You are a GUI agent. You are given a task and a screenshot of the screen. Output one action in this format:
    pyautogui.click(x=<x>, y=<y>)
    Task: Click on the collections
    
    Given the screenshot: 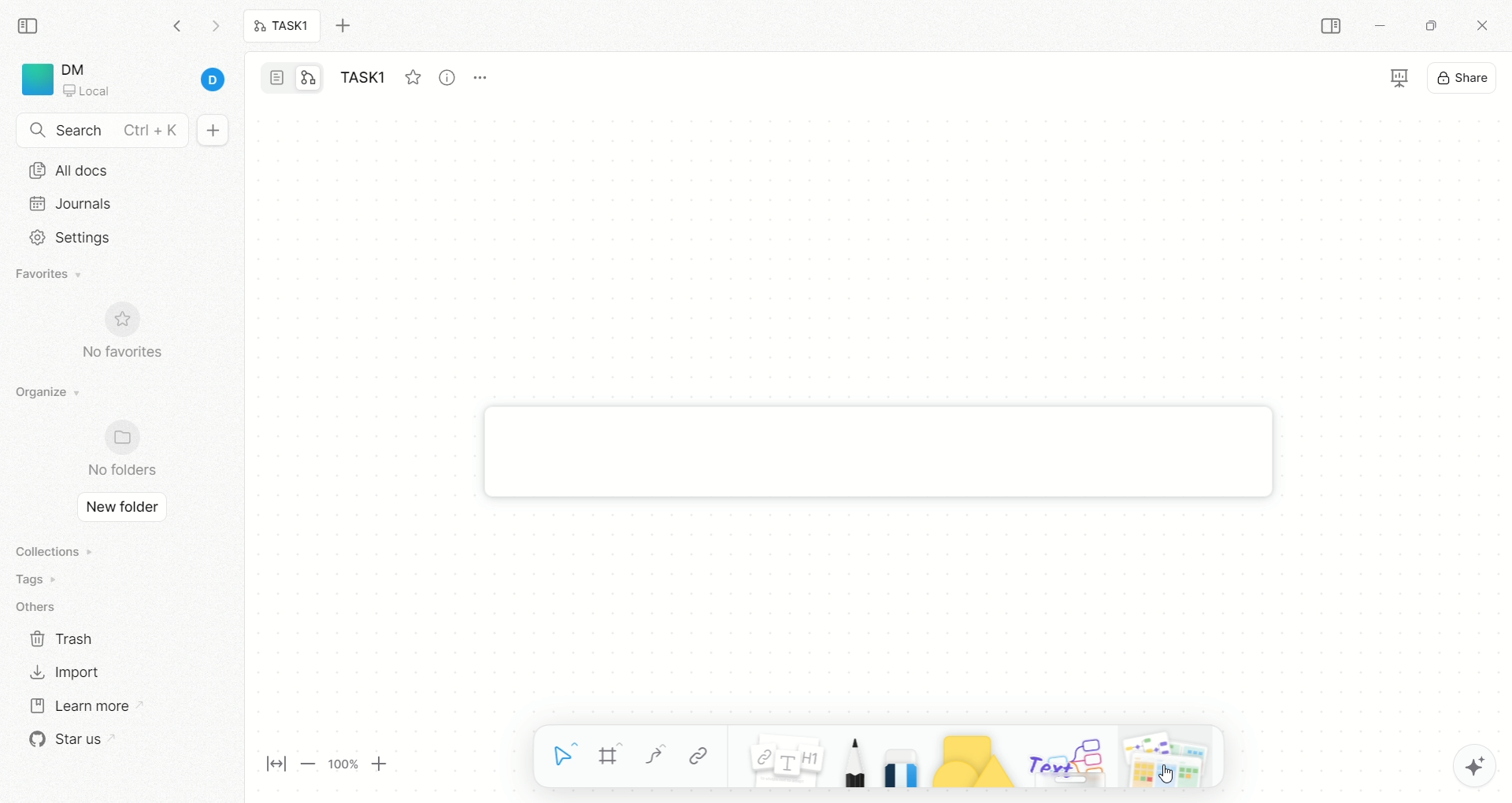 What is the action you would take?
    pyautogui.click(x=51, y=551)
    